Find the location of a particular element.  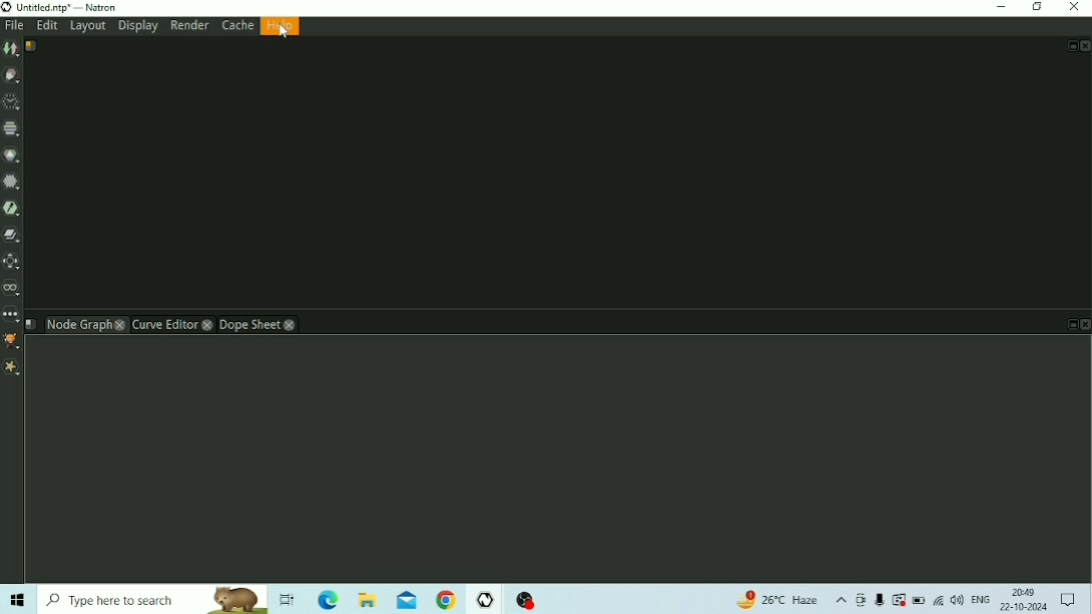

Notifications is located at coordinates (1069, 599).